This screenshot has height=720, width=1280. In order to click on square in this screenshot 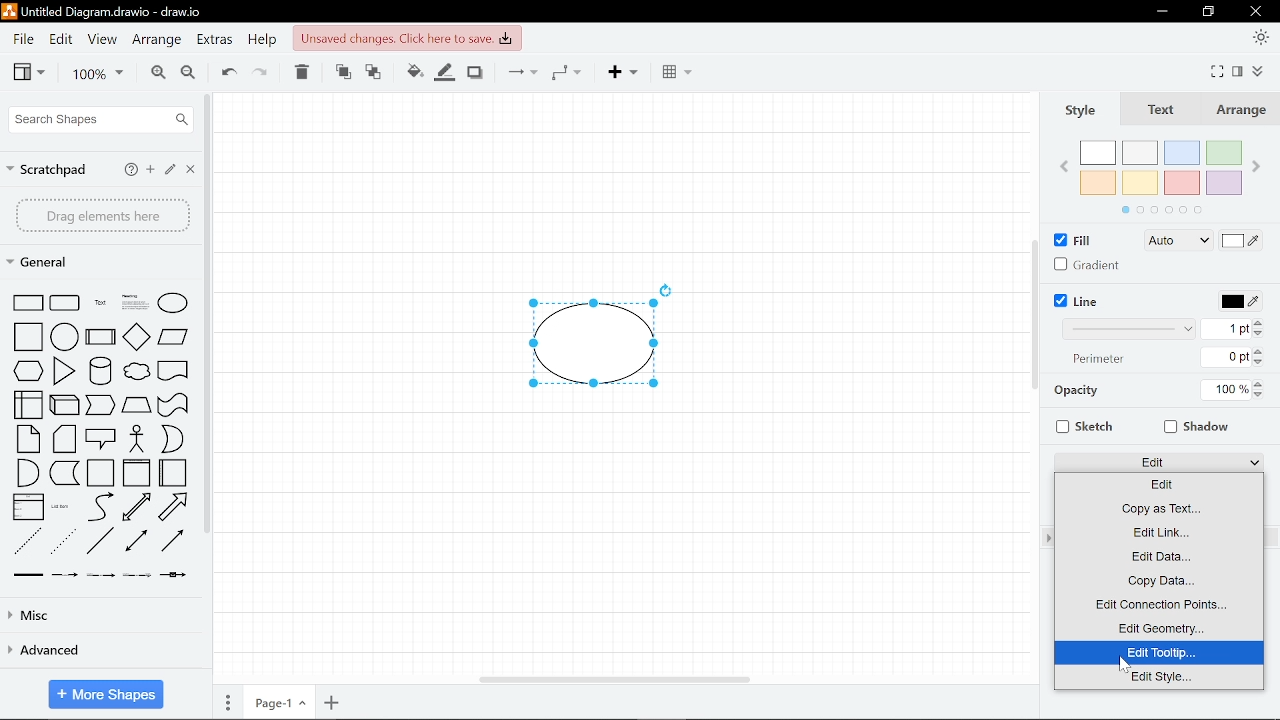, I will do `click(28, 337)`.